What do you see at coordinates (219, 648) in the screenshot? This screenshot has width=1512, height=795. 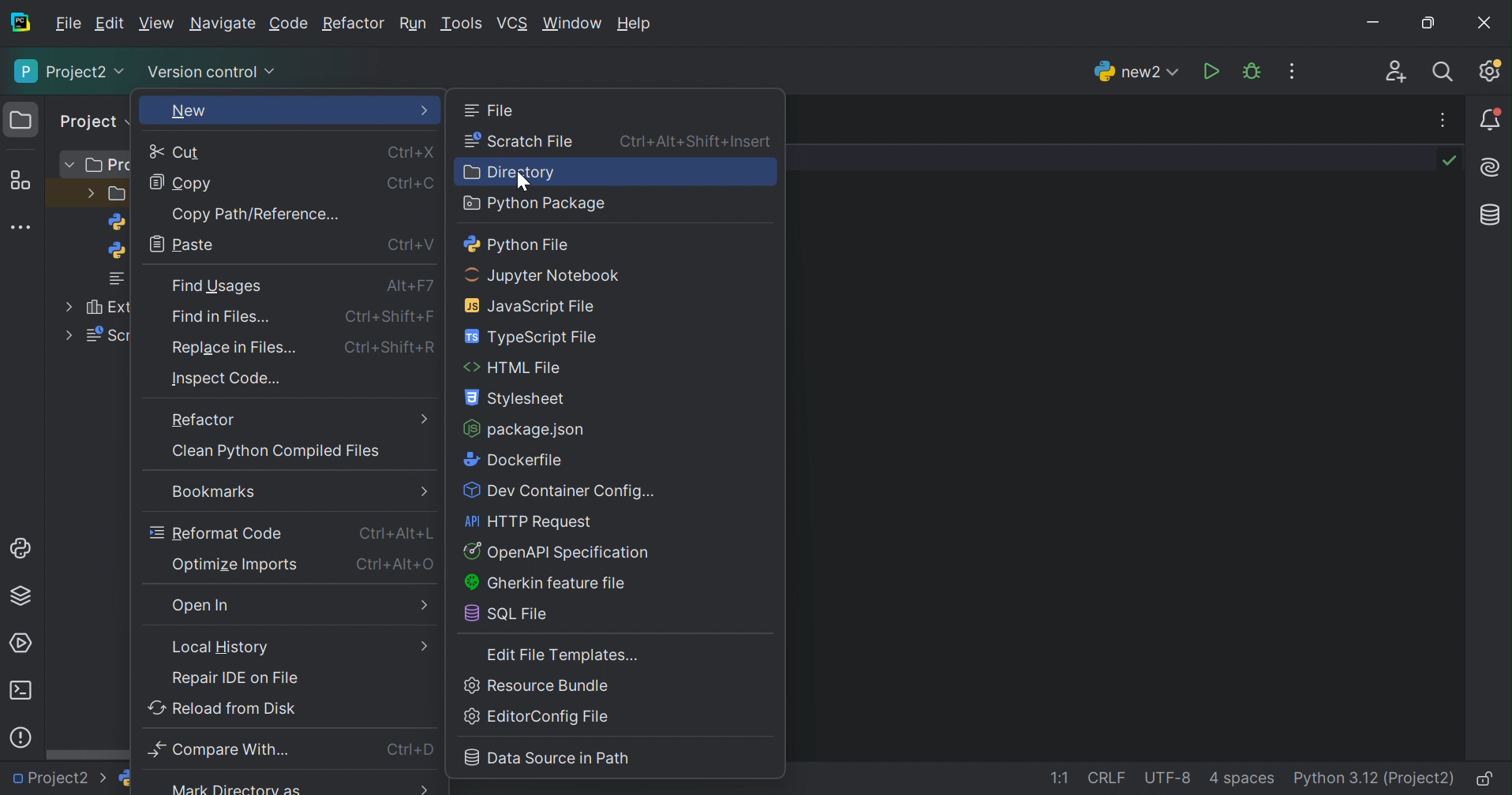 I see `Local History` at bounding box center [219, 648].